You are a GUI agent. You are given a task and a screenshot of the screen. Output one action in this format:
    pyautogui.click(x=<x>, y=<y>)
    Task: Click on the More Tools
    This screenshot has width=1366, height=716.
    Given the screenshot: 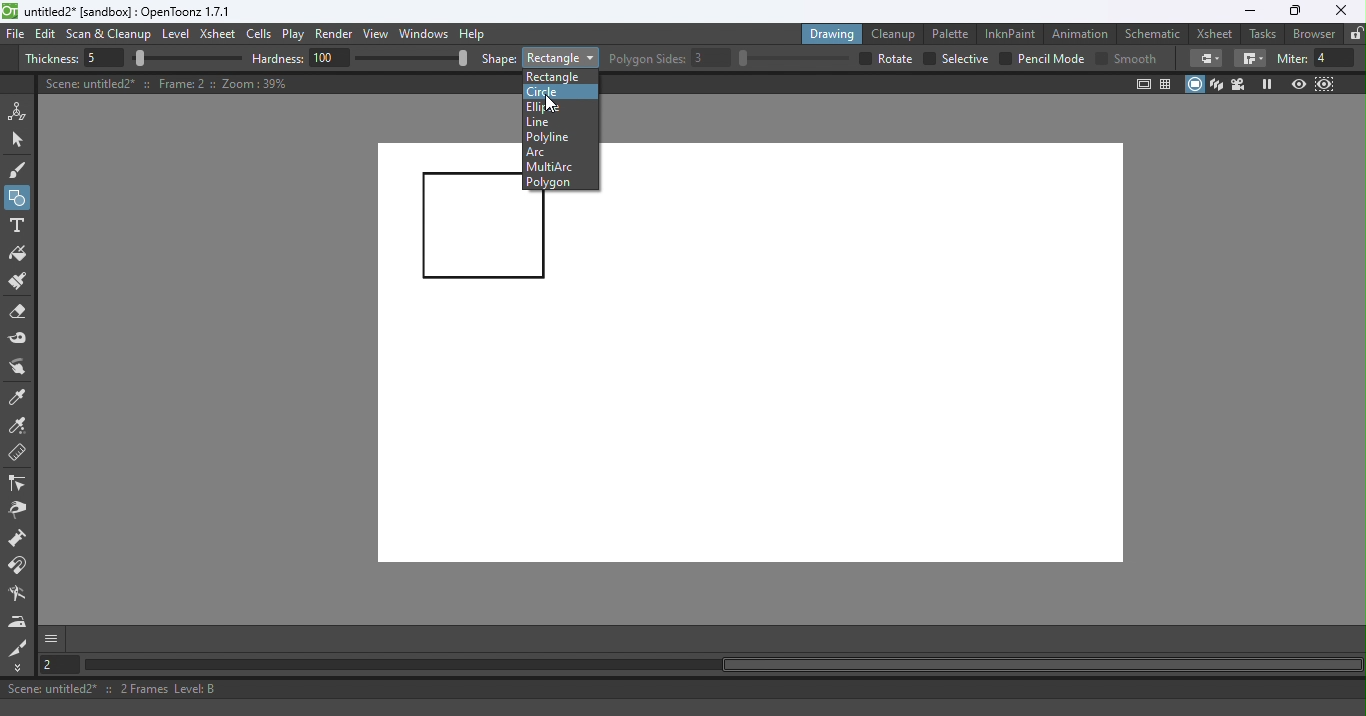 What is the action you would take?
    pyautogui.click(x=19, y=668)
    